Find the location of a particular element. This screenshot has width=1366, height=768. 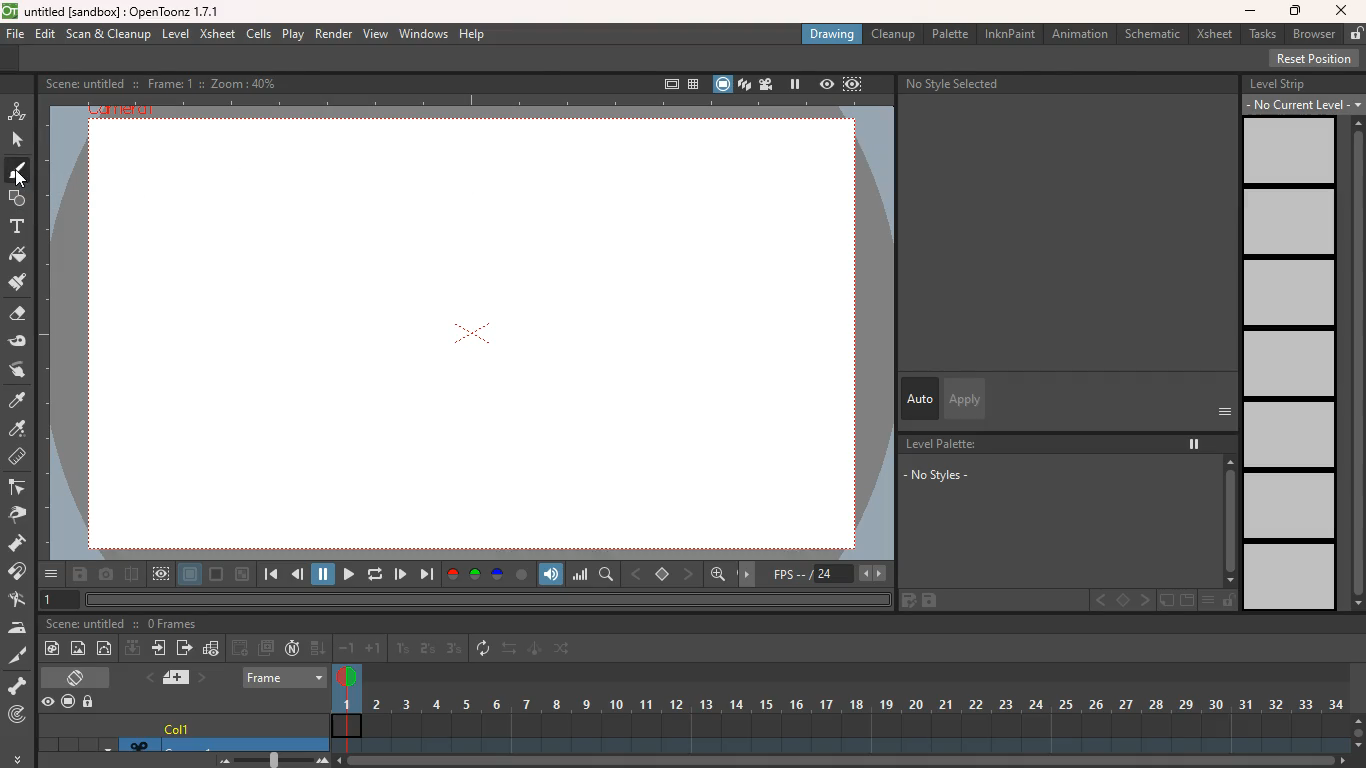

no current level is located at coordinates (1295, 104).